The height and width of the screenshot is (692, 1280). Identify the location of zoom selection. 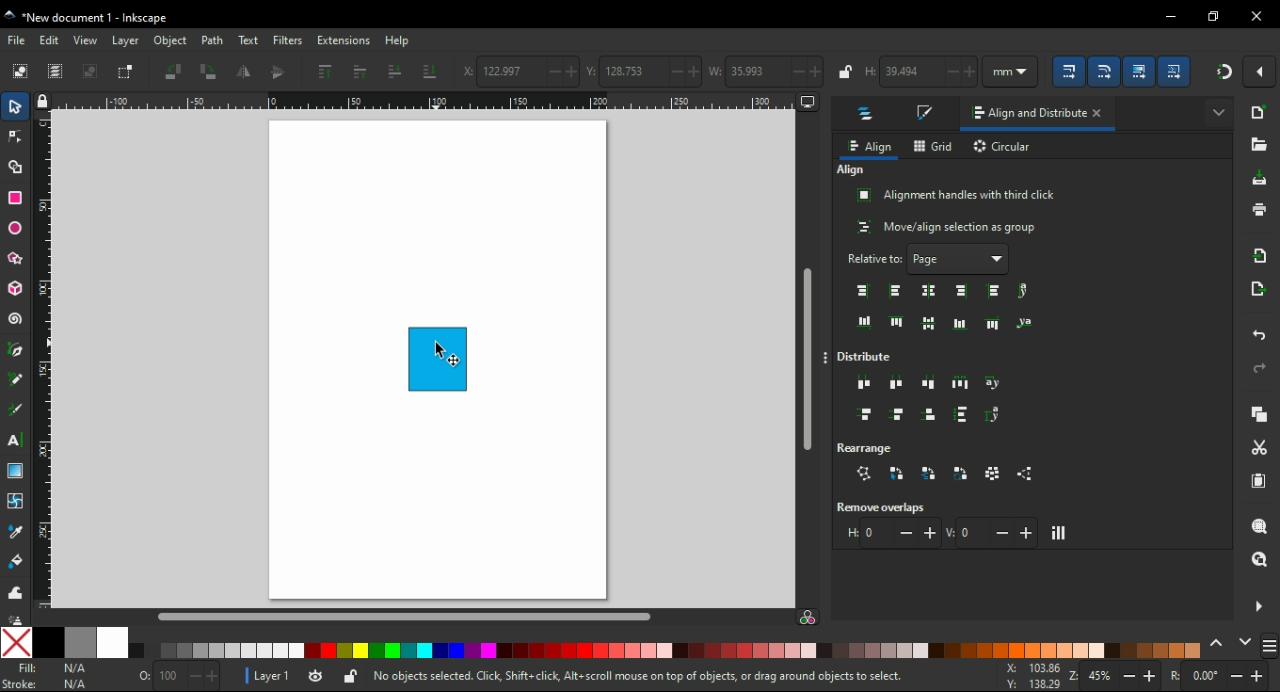
(1260, 528).